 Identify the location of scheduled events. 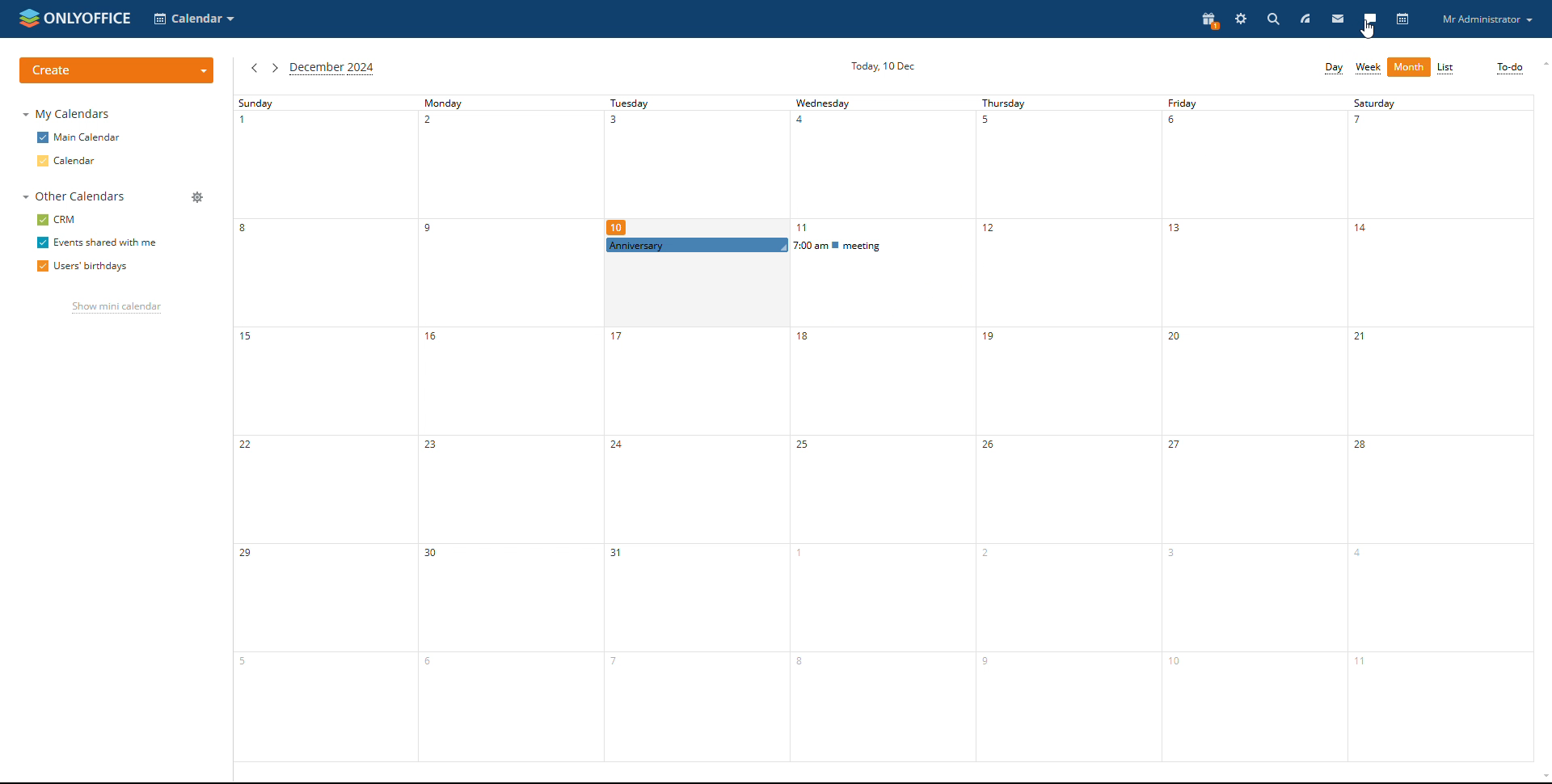
(791, 245).